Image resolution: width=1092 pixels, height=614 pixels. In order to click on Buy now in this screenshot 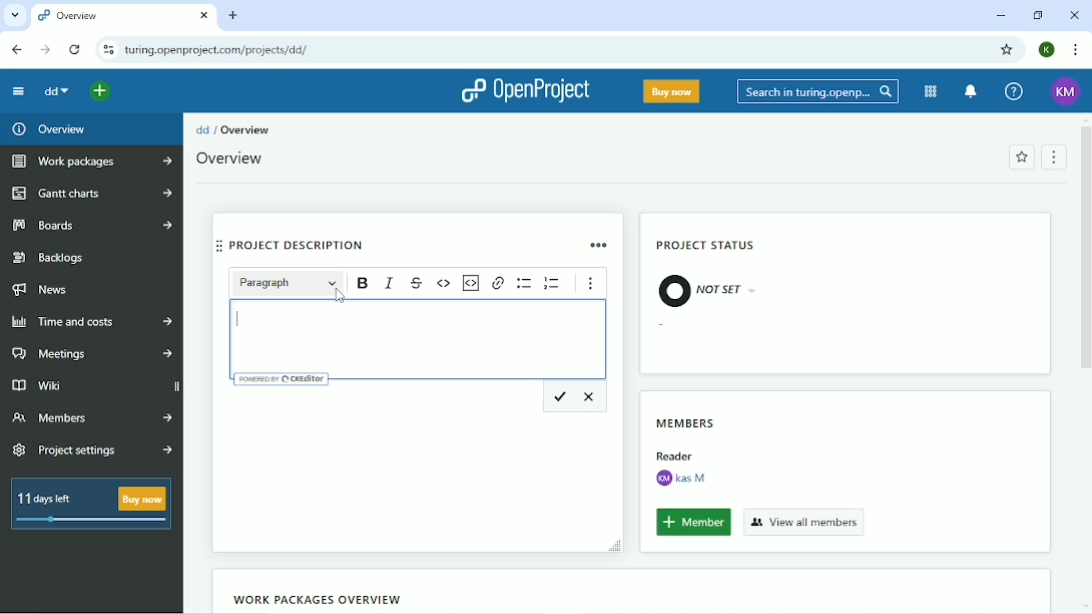, I will do `click(672, 91)`.